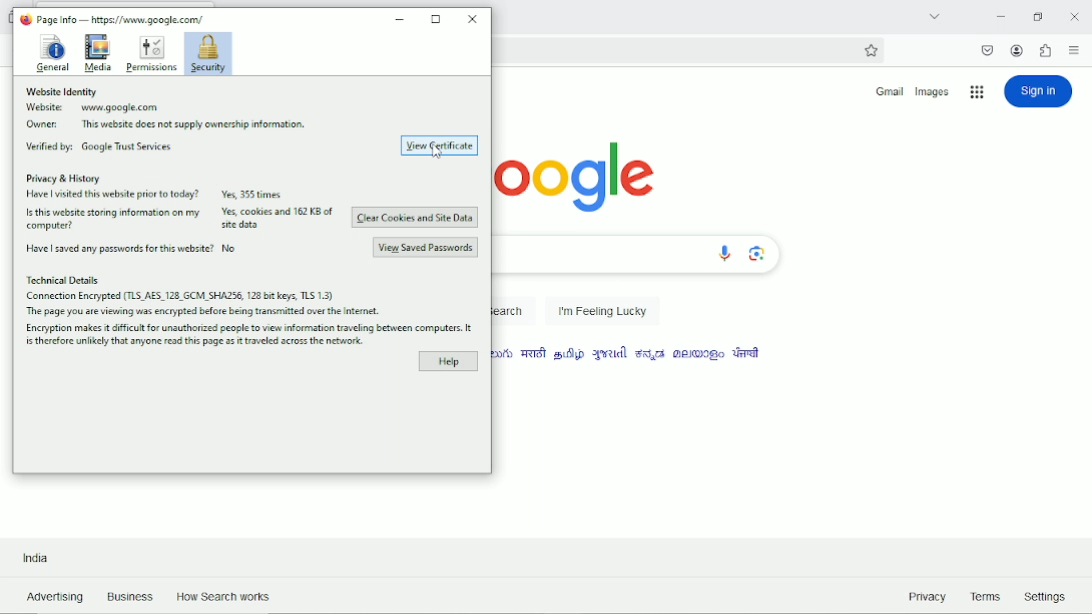 The width and height of the screenshot is (1092, 614). I want to click on Maximize, so click(437, 18).